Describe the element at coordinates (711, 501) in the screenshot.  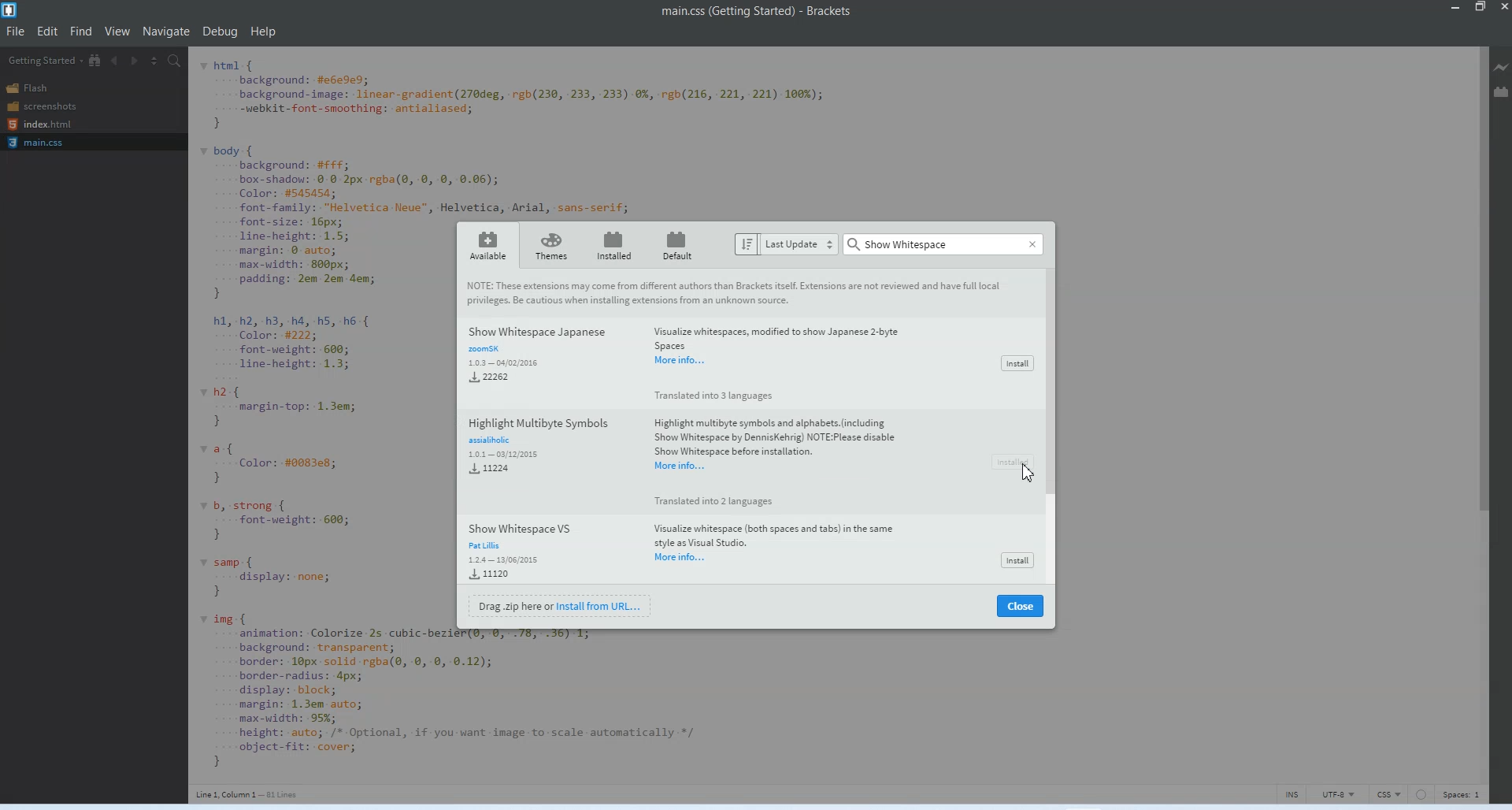
I see `Translated into 2 languages` at that location.